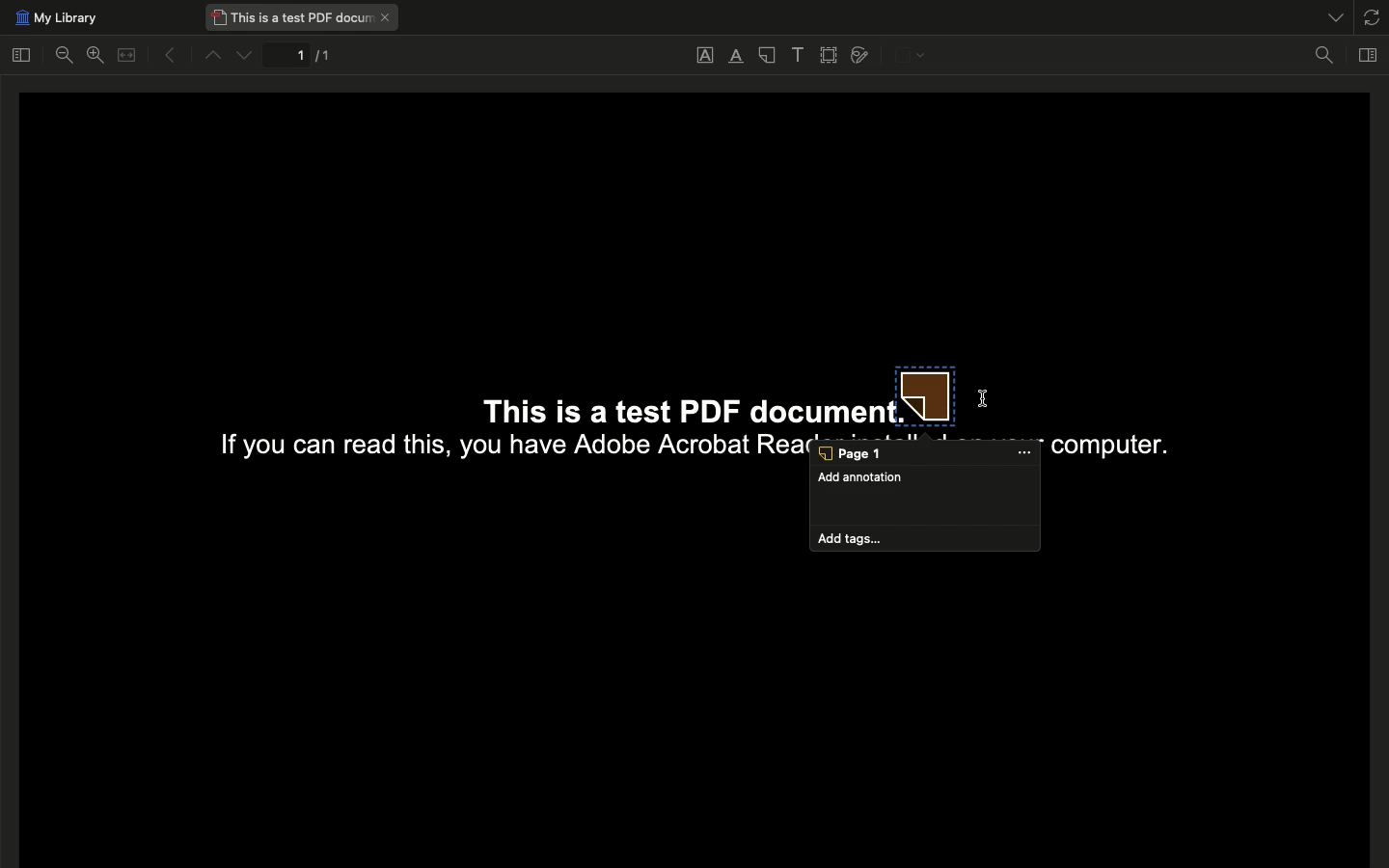 This screenshot has width=1389, height=868. Describe the element at coordinates (831, 56) in the screenshot. I see `Select area` at that location.